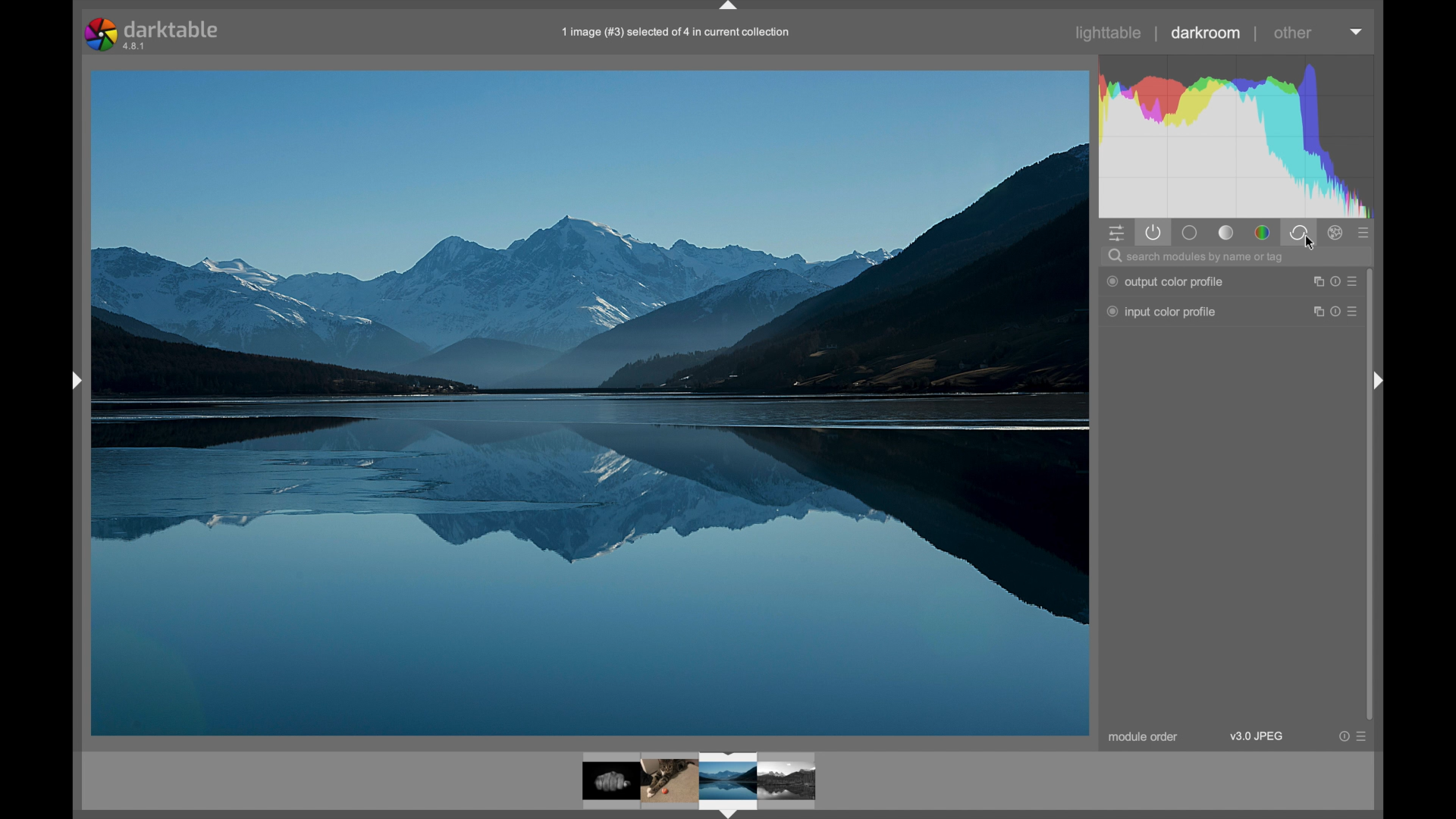  Describe the element at coordinates (700, 782) in the screenshot. I see `photo preview` at that location.